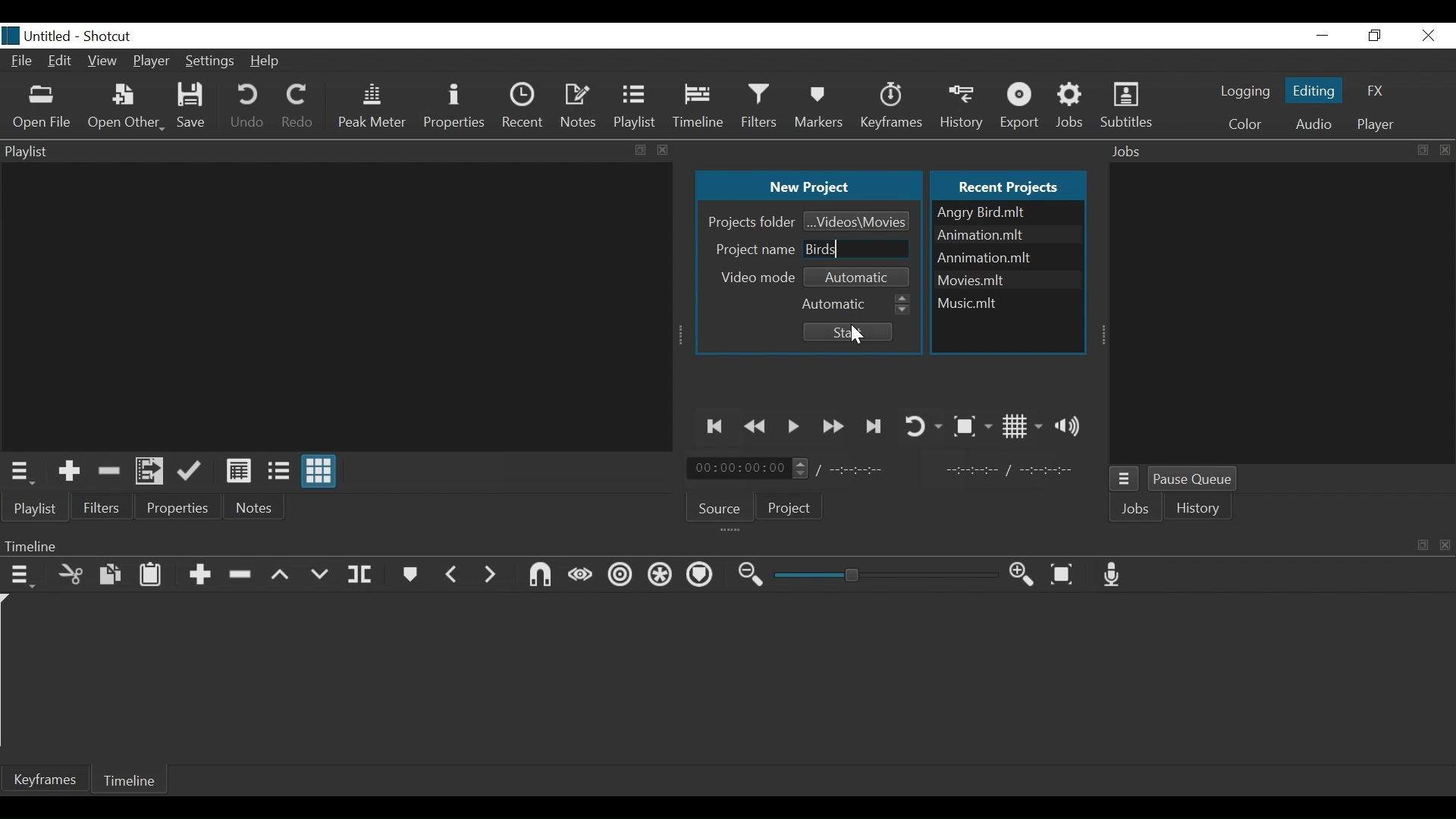 This screenshot has height=819, width=1456. What do you see at coordinates (579, 575) in the screenshot?
I see `Scrub wile dragging` at bounding box center [579, 575].